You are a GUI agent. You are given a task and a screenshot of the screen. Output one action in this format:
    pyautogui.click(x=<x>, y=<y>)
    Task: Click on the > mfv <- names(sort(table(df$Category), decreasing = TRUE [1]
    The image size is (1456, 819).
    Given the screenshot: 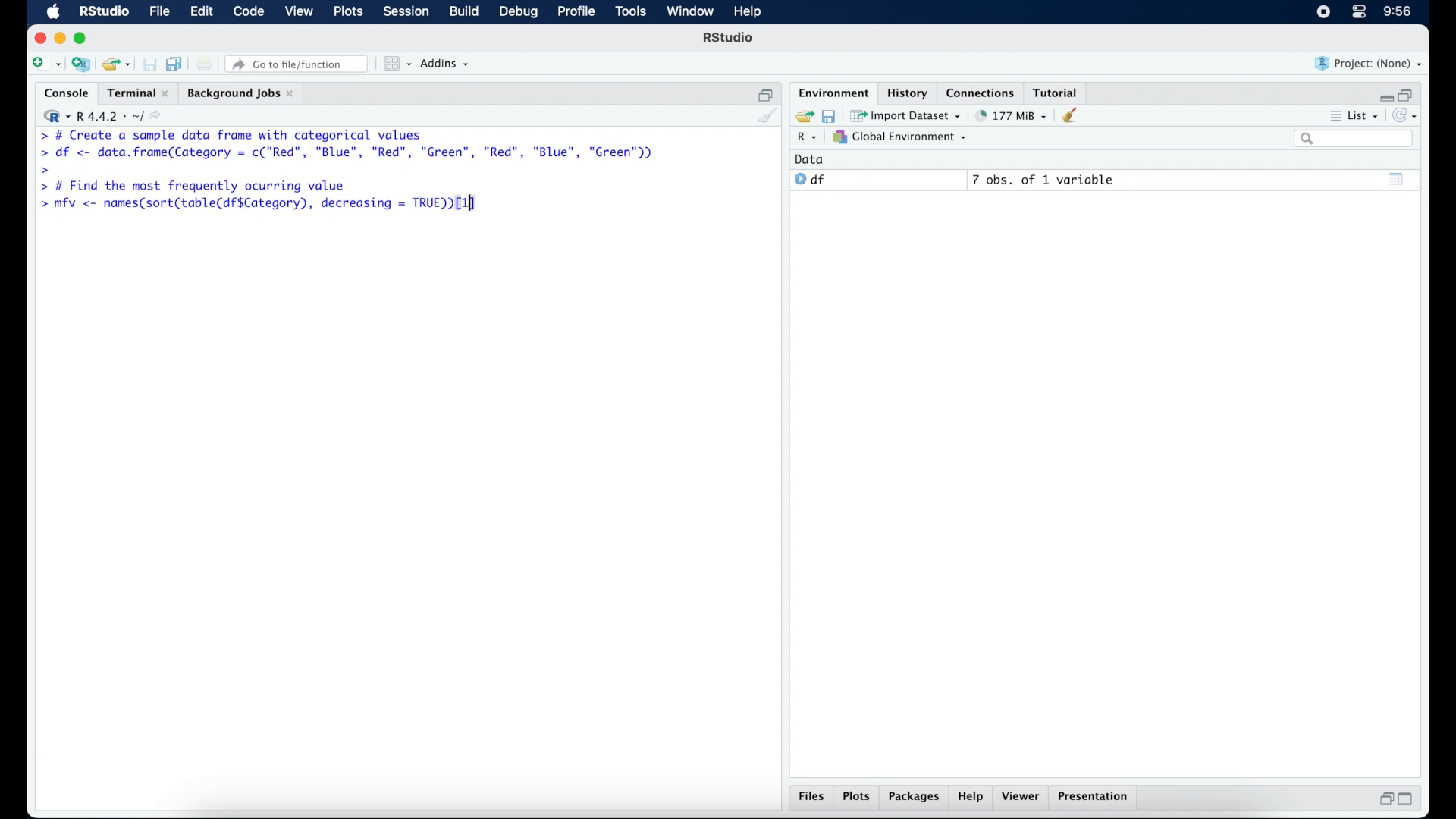 What is the action you would take?
    pyautogui.click(x=261, y=204)
    